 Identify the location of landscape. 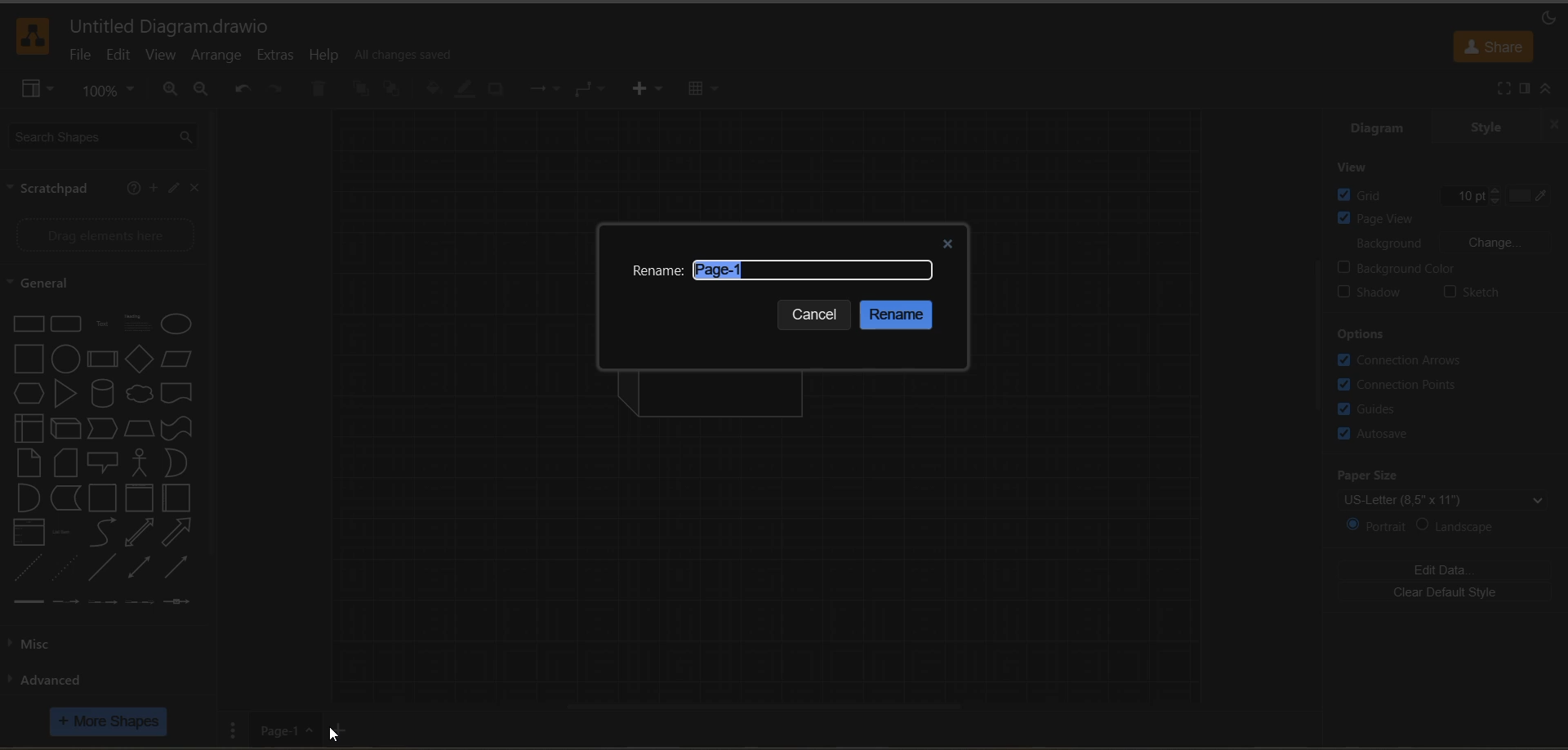
(1466, 526).